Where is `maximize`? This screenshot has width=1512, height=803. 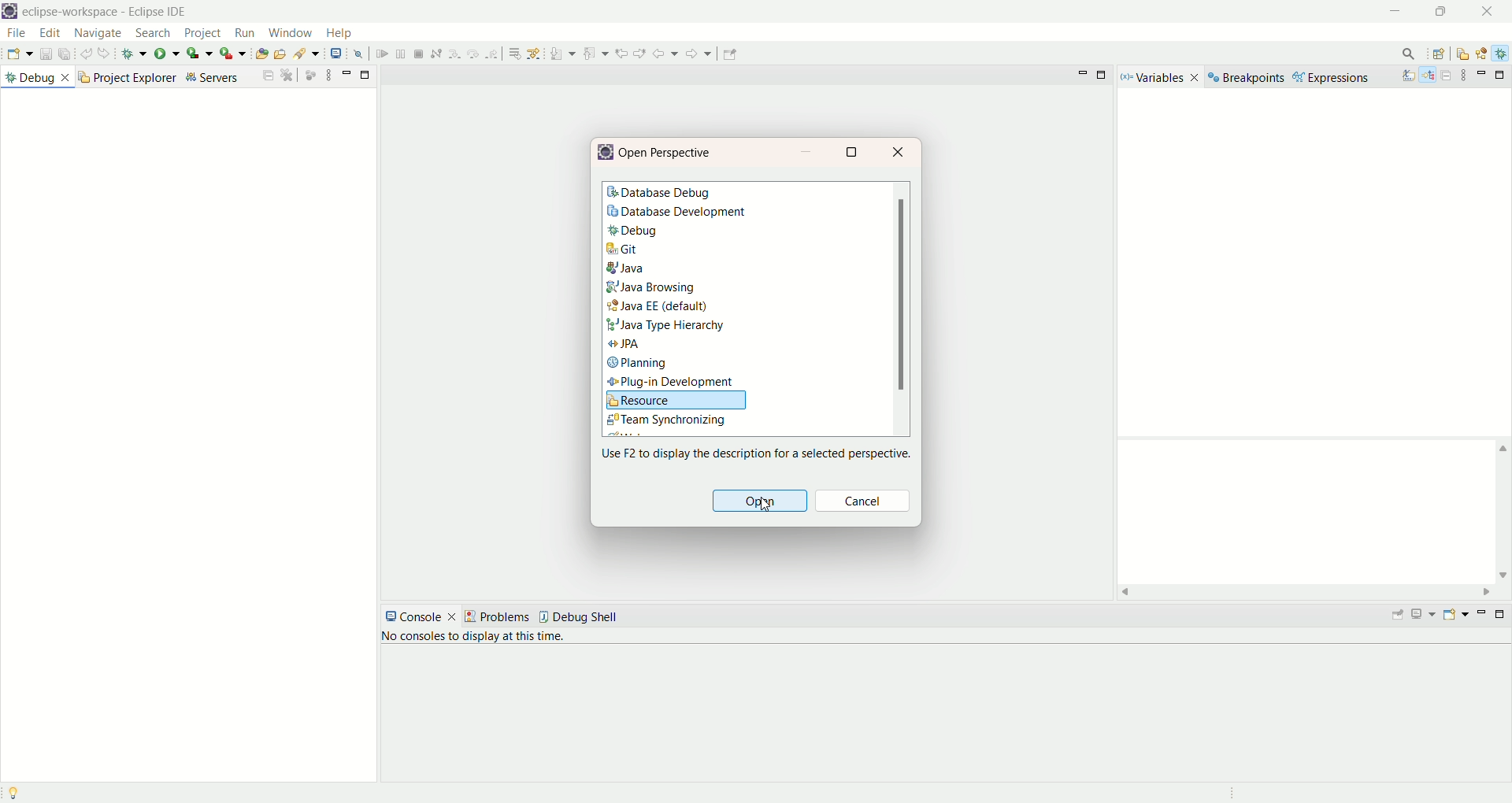
maximize is located at coordinates (1104, 77).